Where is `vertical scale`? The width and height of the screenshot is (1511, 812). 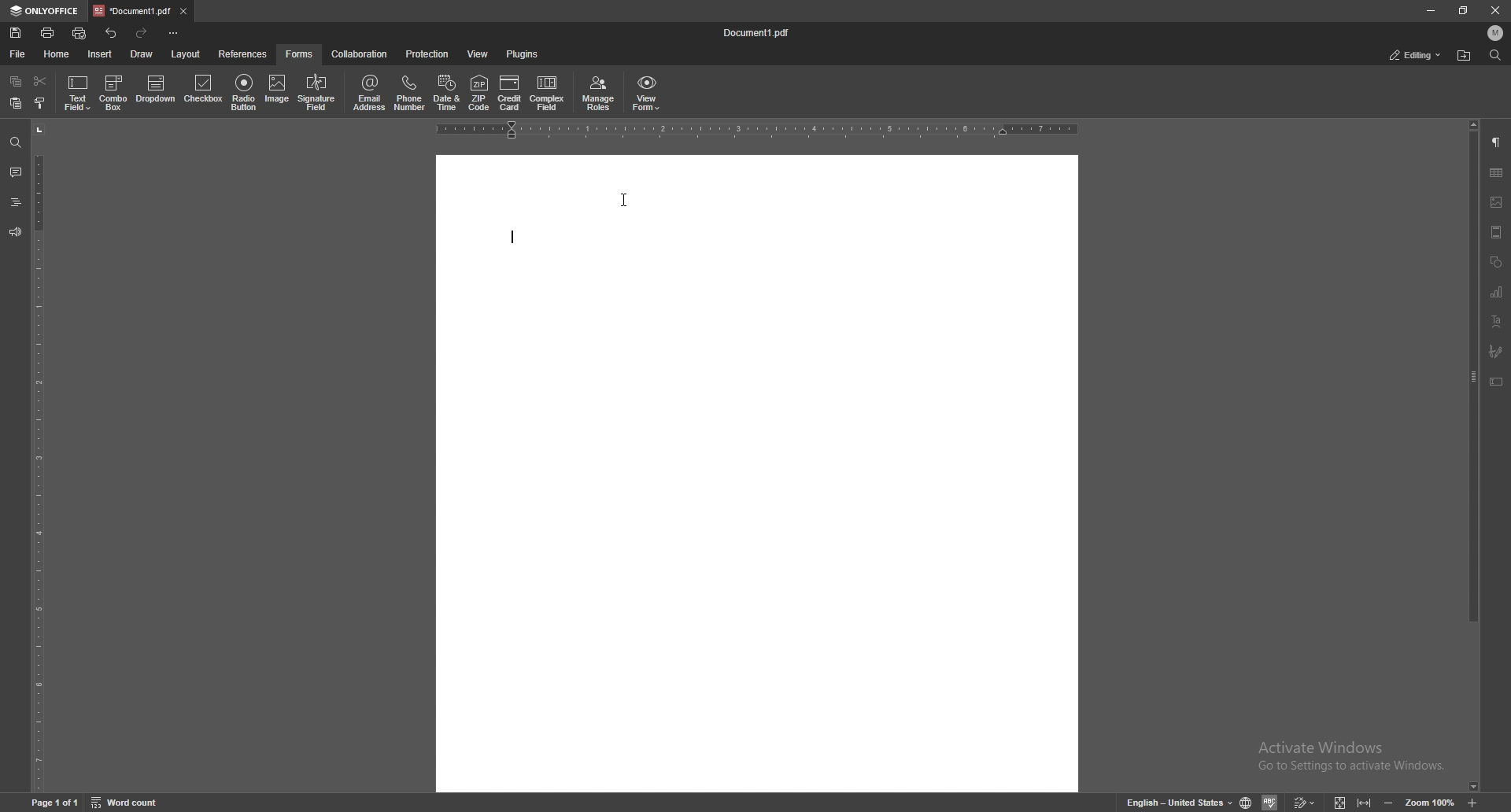
vertical scale is located at coordinates (36, 459).